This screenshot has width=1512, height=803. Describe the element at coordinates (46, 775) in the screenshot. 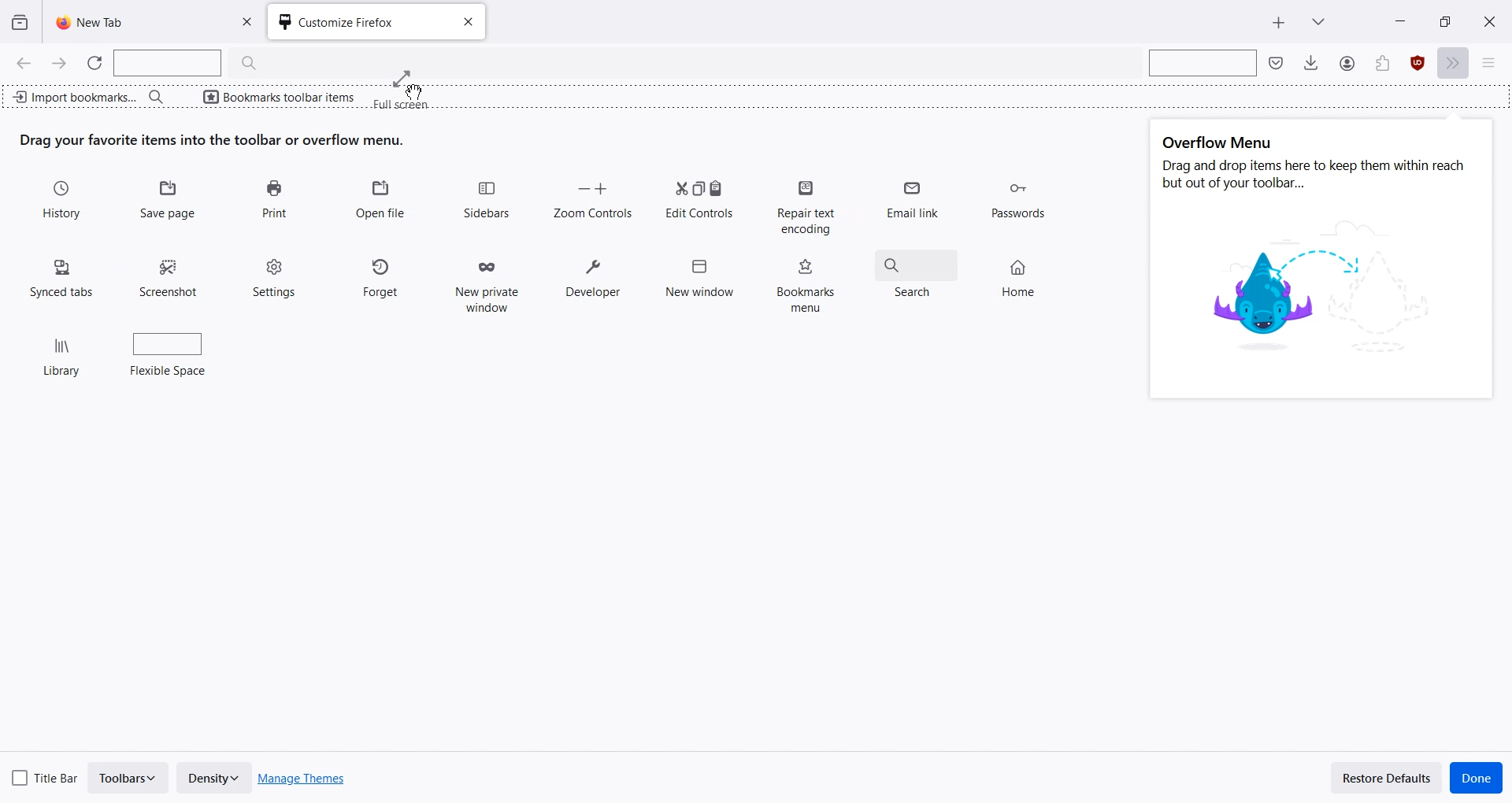

I see `Title Bar` at that location.